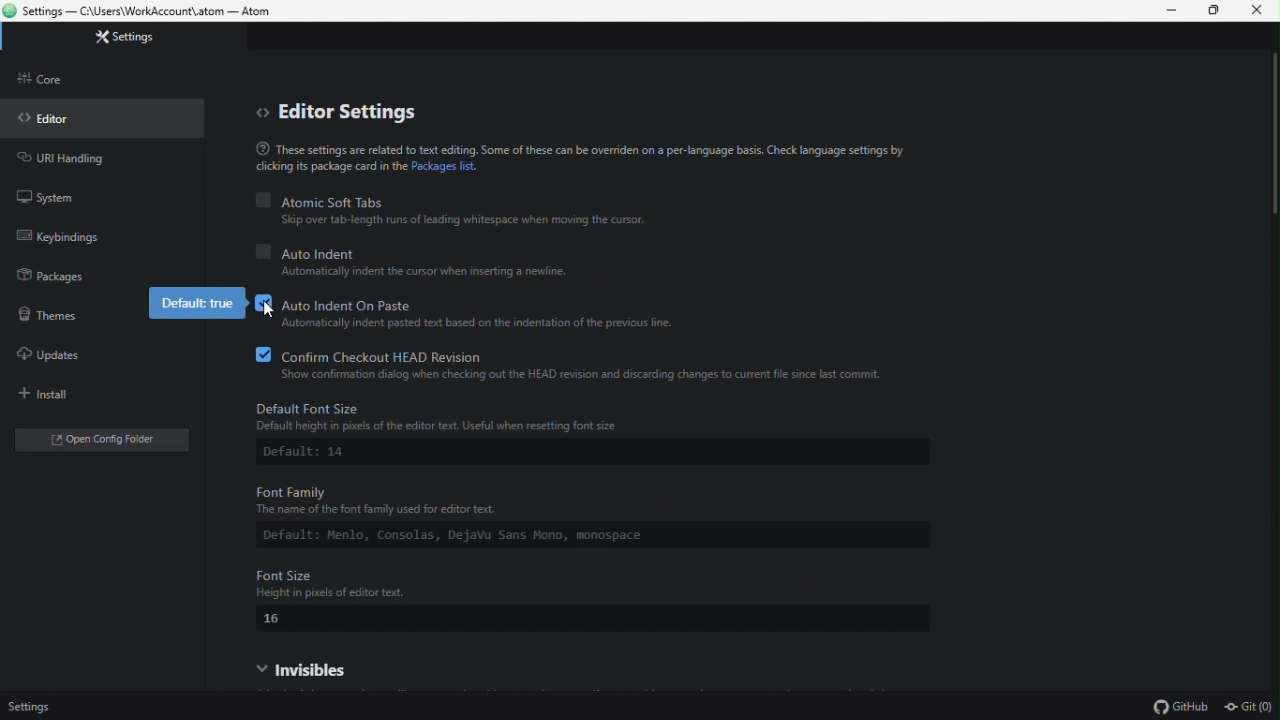 This screenshot has width=1280, height=720. What do you see at coordinates (329, 669) in the screenshot?
I see `Invisible ` at bounding box center [329, 669].